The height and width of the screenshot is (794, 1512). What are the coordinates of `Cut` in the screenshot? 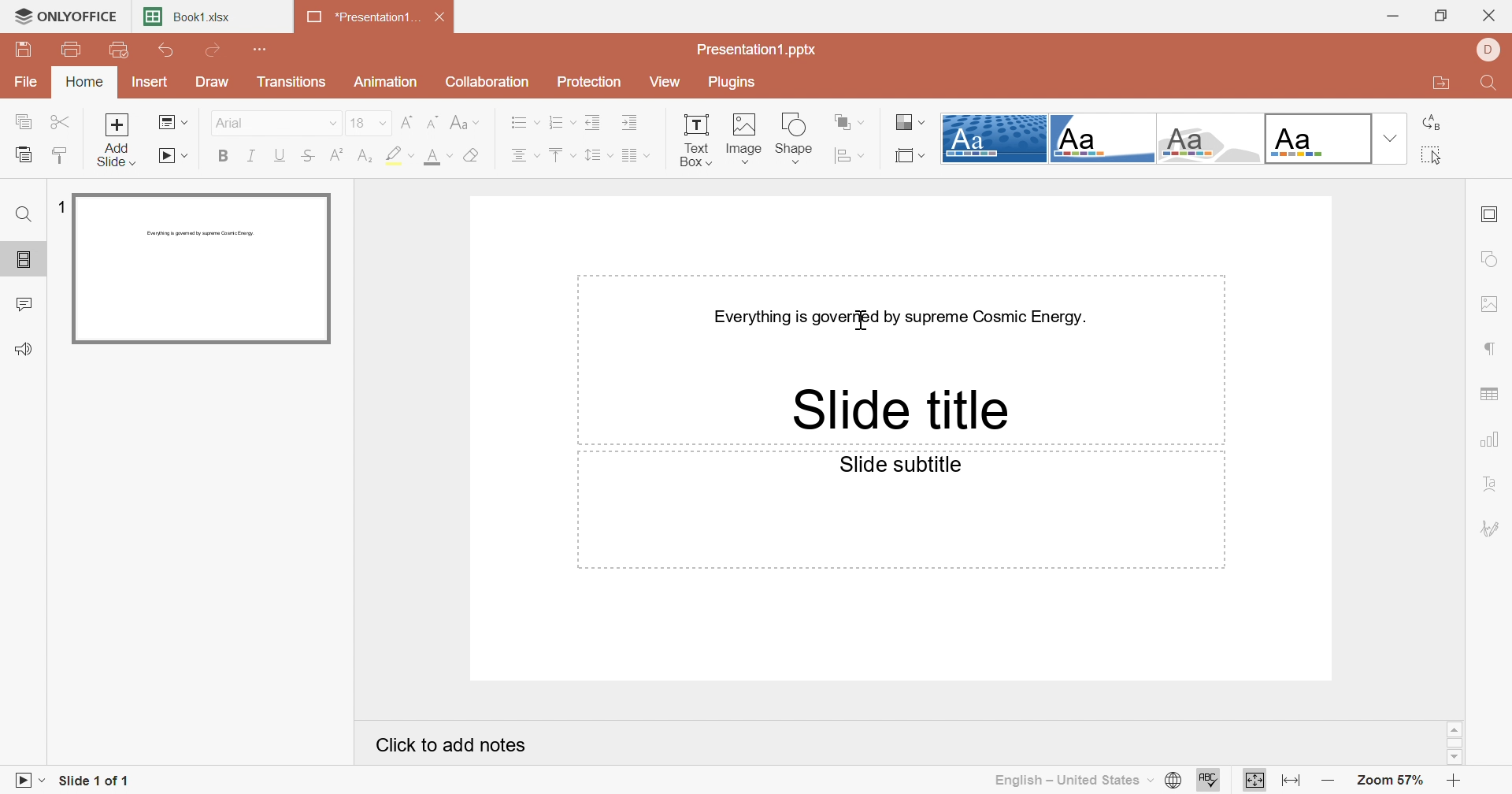 It's located at (60, 123).